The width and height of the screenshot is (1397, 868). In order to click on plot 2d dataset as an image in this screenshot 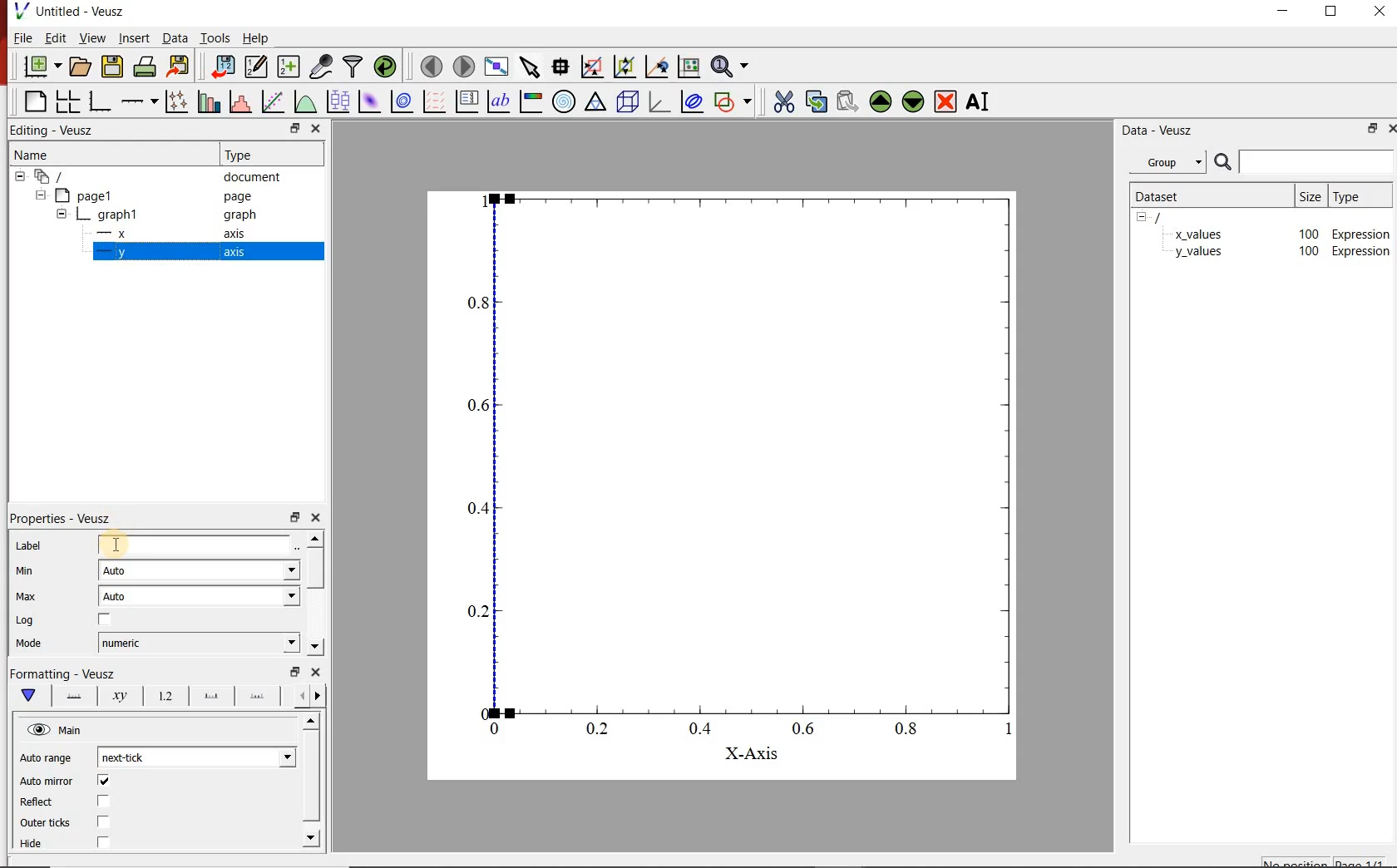, I will do `click(369, 101)`.